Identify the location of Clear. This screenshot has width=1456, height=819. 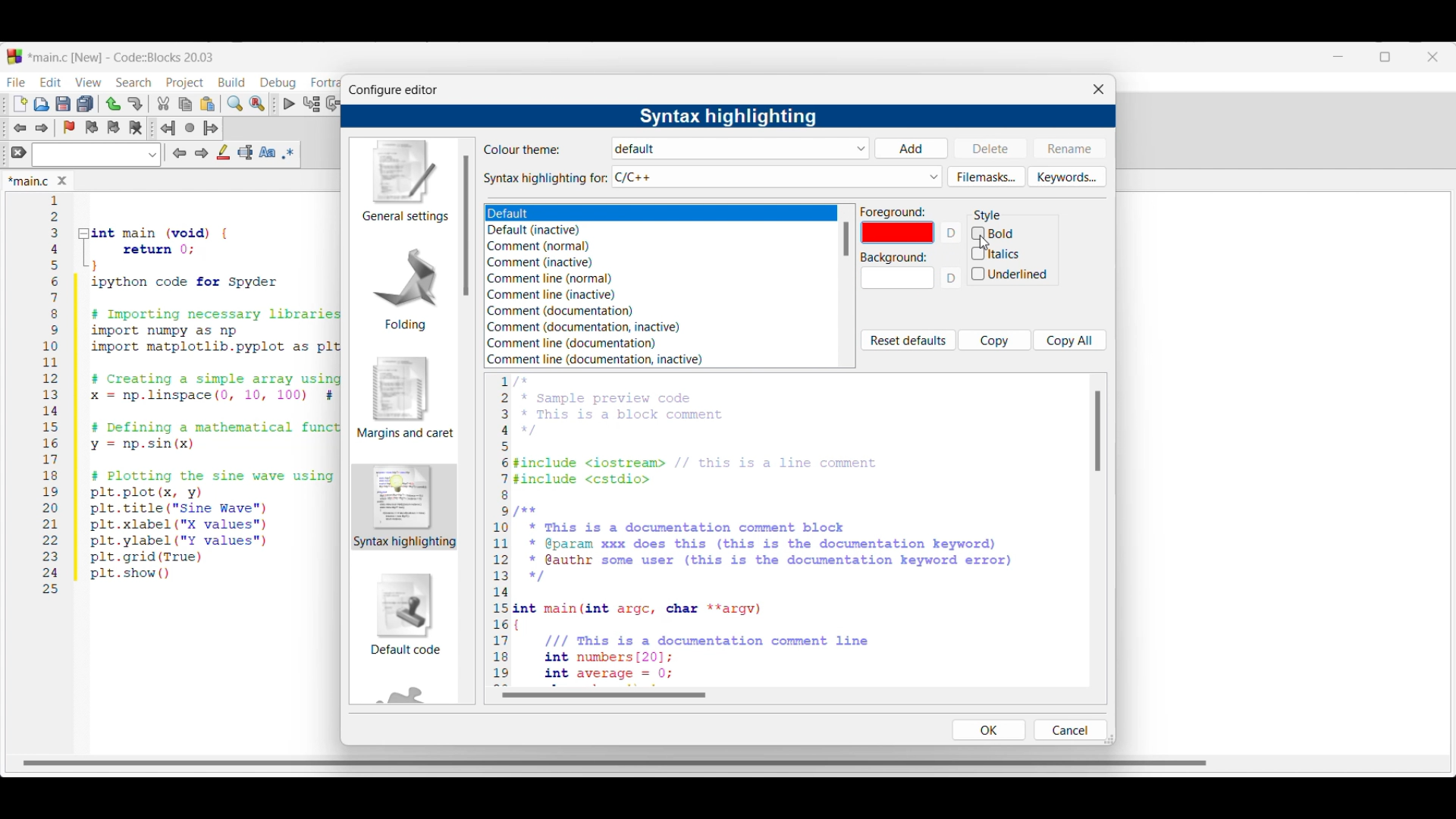
(19, 152).